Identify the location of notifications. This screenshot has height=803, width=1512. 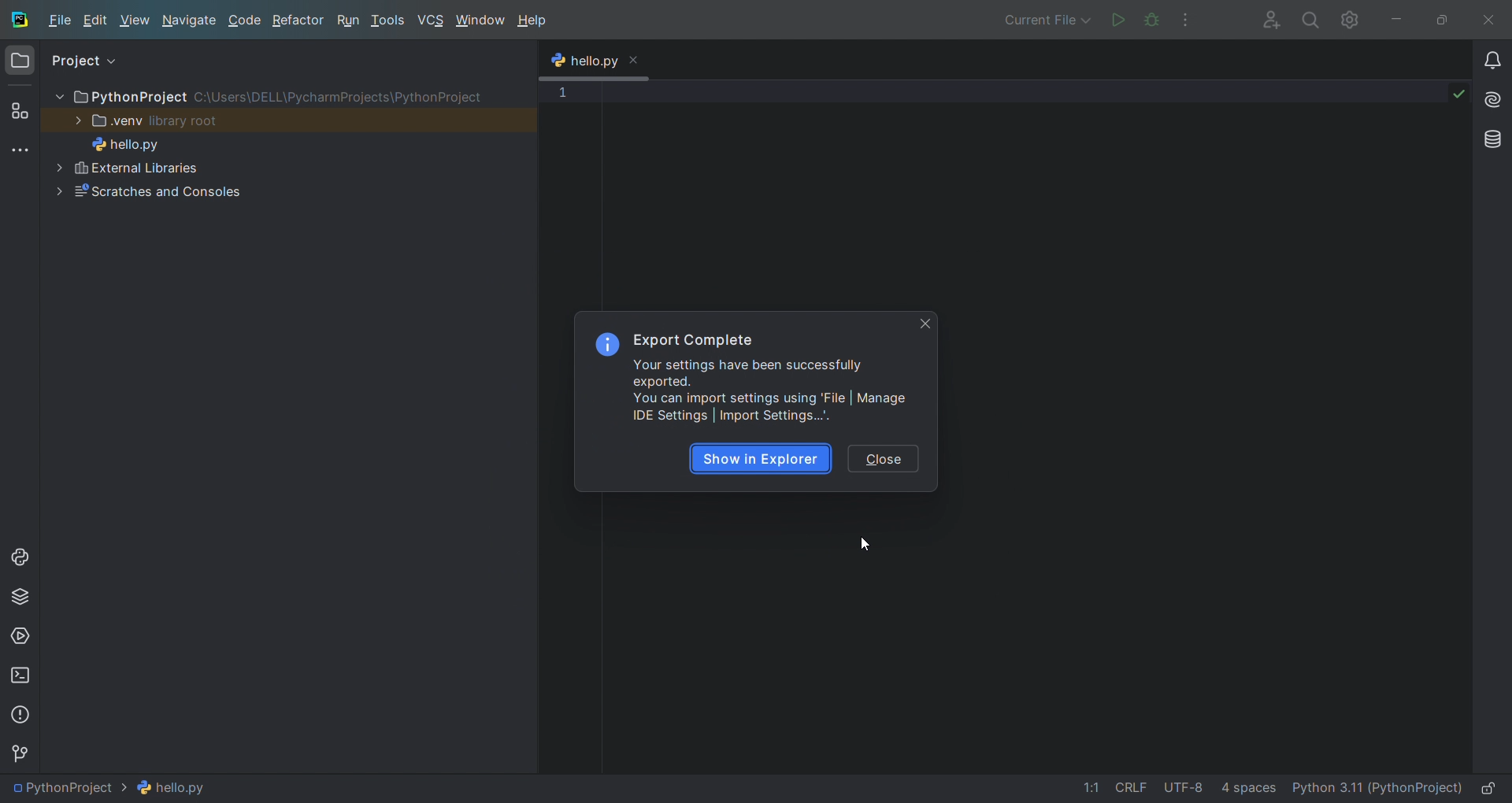
(1492, 62).